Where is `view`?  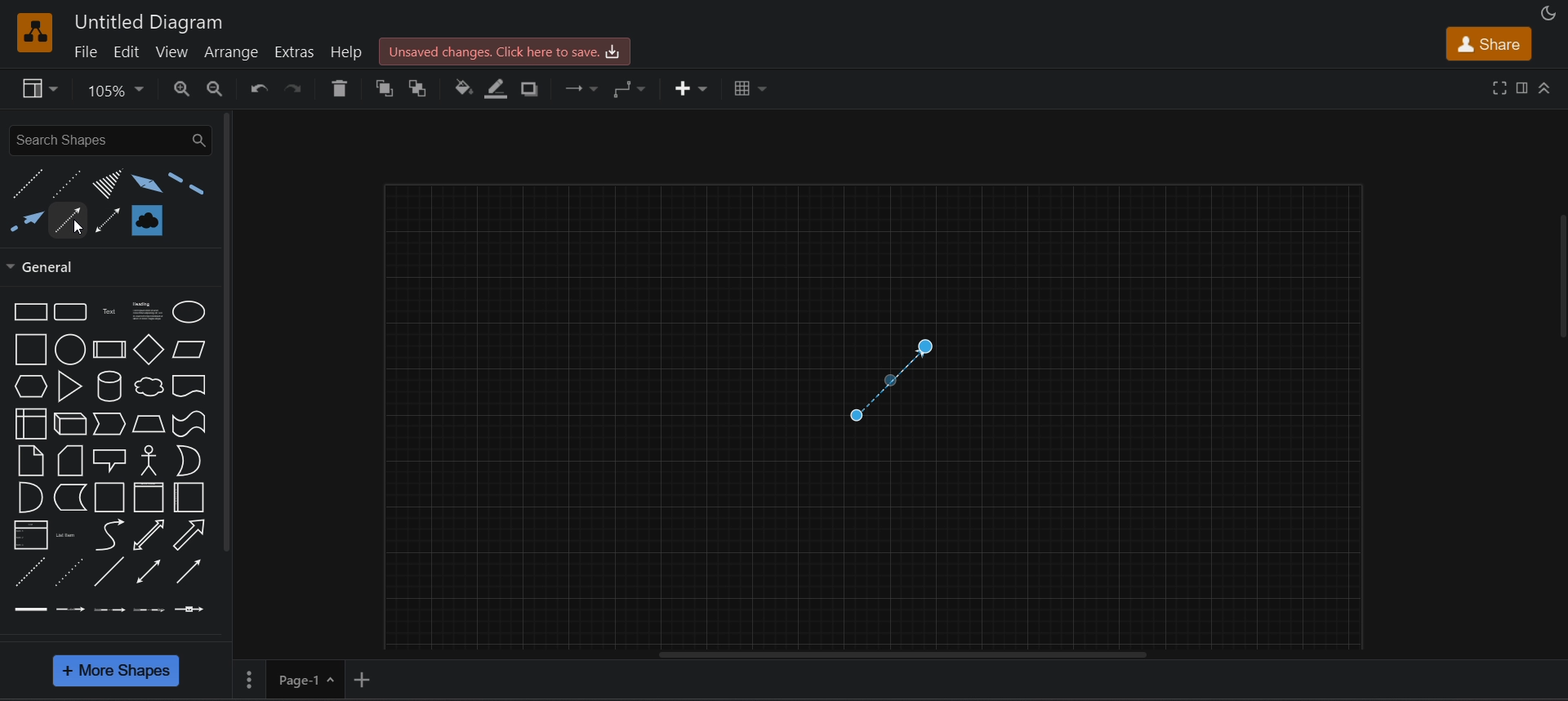 view is located at coordinates (39, 89).